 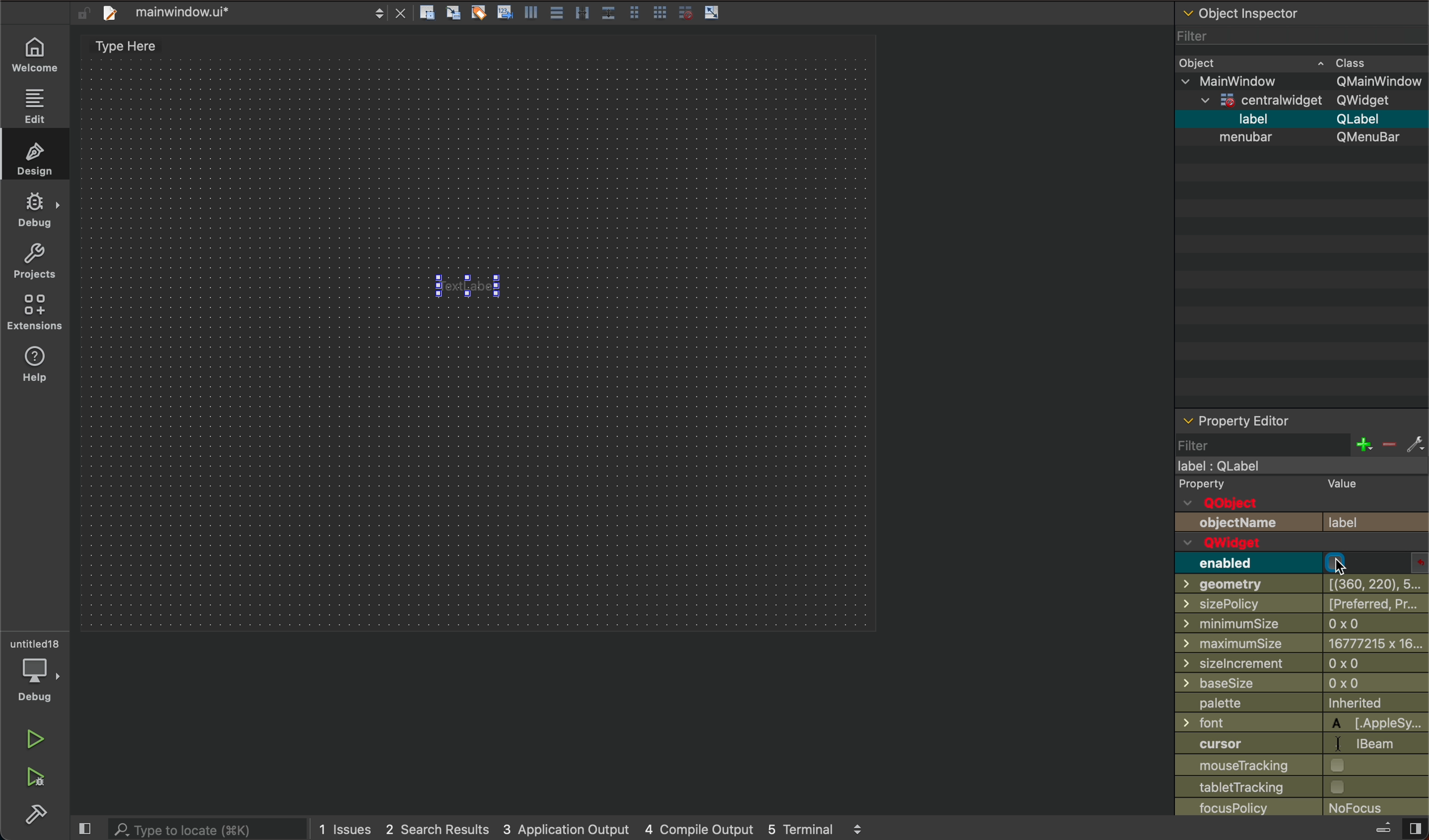 What do you see at coordinates (1379, 725) in the screenshot?
I see `applesy...` at bounding box center [1379, 725].